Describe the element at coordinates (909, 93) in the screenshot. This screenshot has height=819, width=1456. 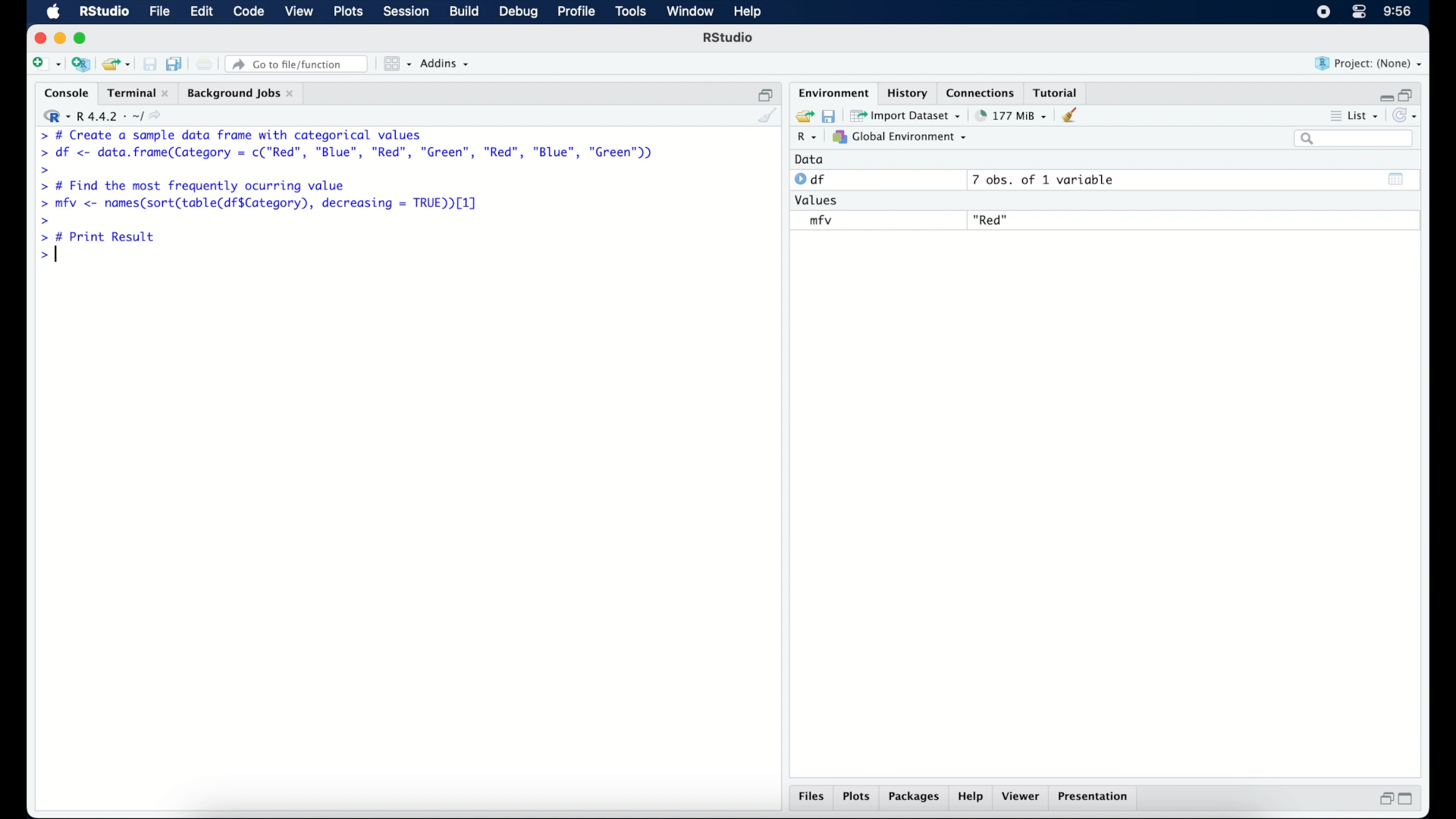
I see `history` at that location.